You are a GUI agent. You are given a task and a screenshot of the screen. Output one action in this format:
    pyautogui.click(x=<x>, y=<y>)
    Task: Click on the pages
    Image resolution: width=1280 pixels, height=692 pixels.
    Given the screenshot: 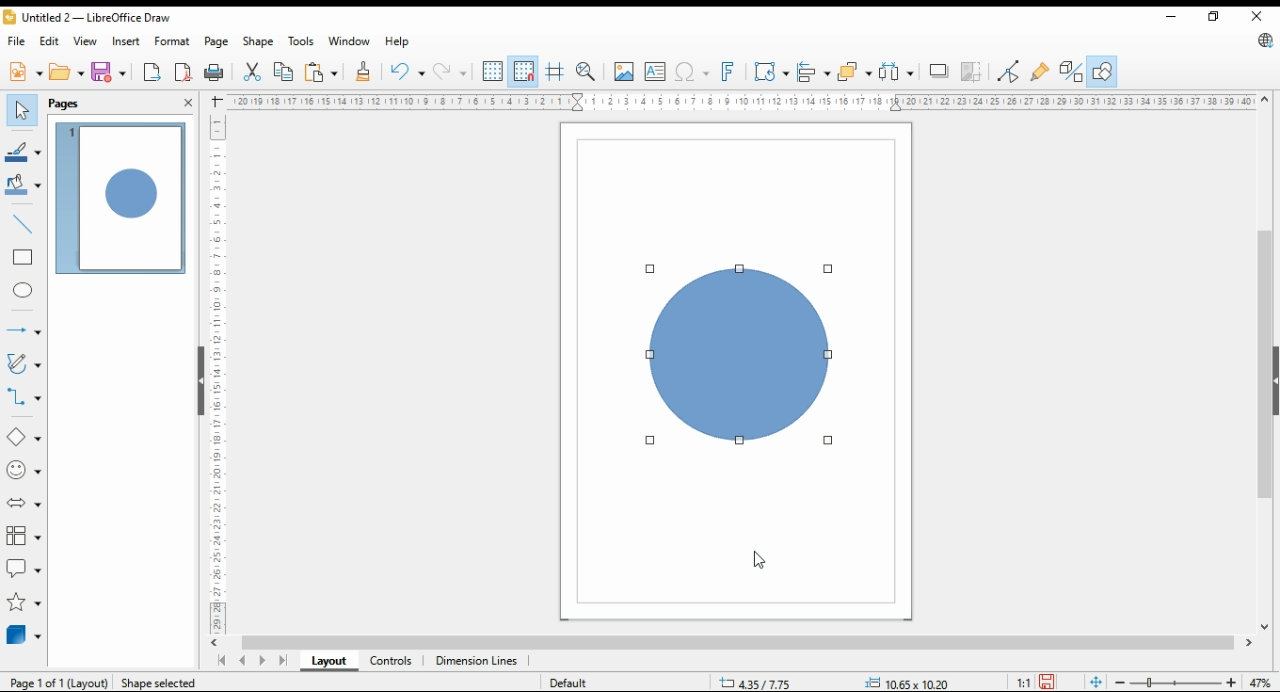 What is the action you would take?
    pyautogui.click(x=64, y=105)
    